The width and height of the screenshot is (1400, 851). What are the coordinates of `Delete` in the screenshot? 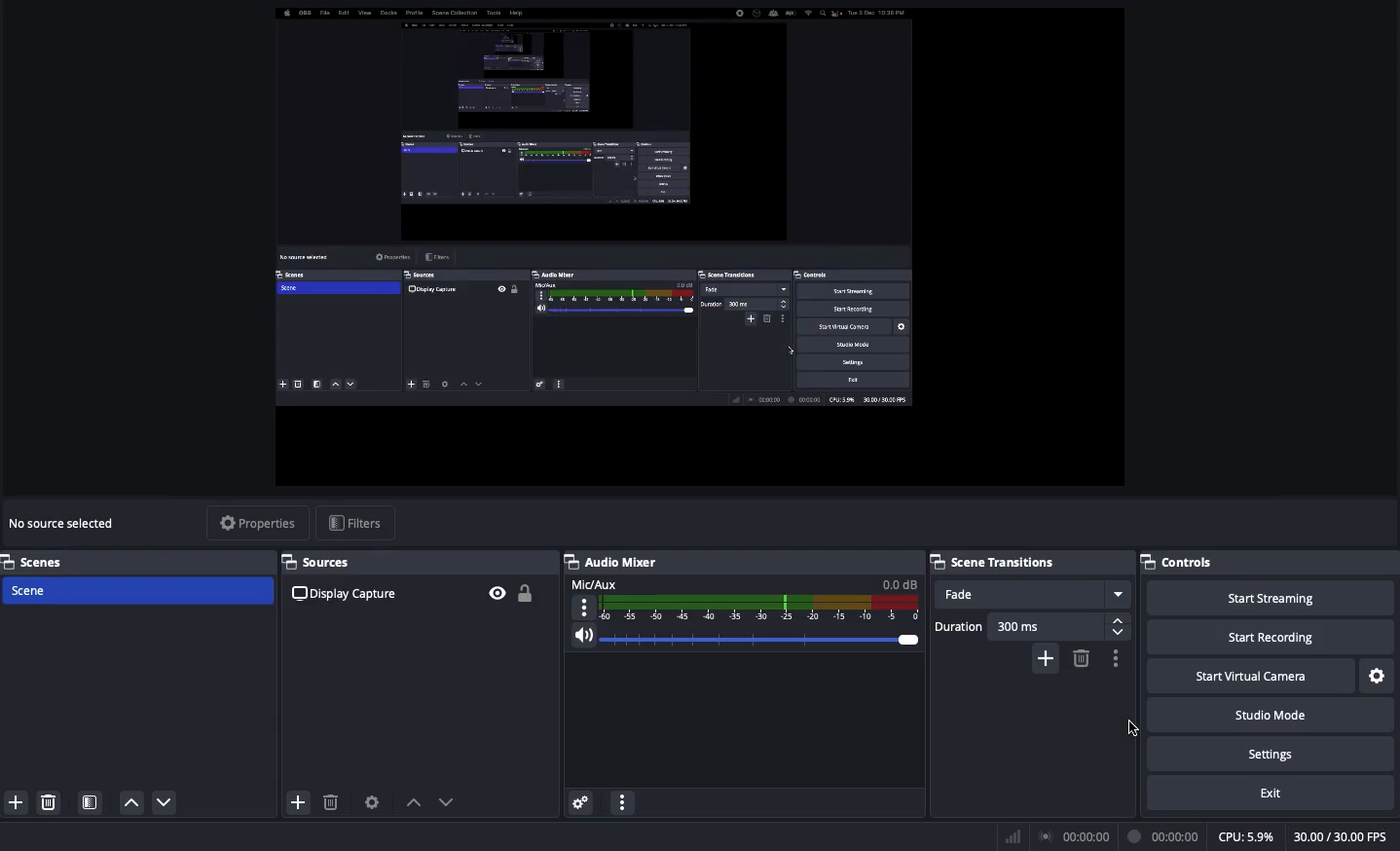 It's located at (1082, 658).